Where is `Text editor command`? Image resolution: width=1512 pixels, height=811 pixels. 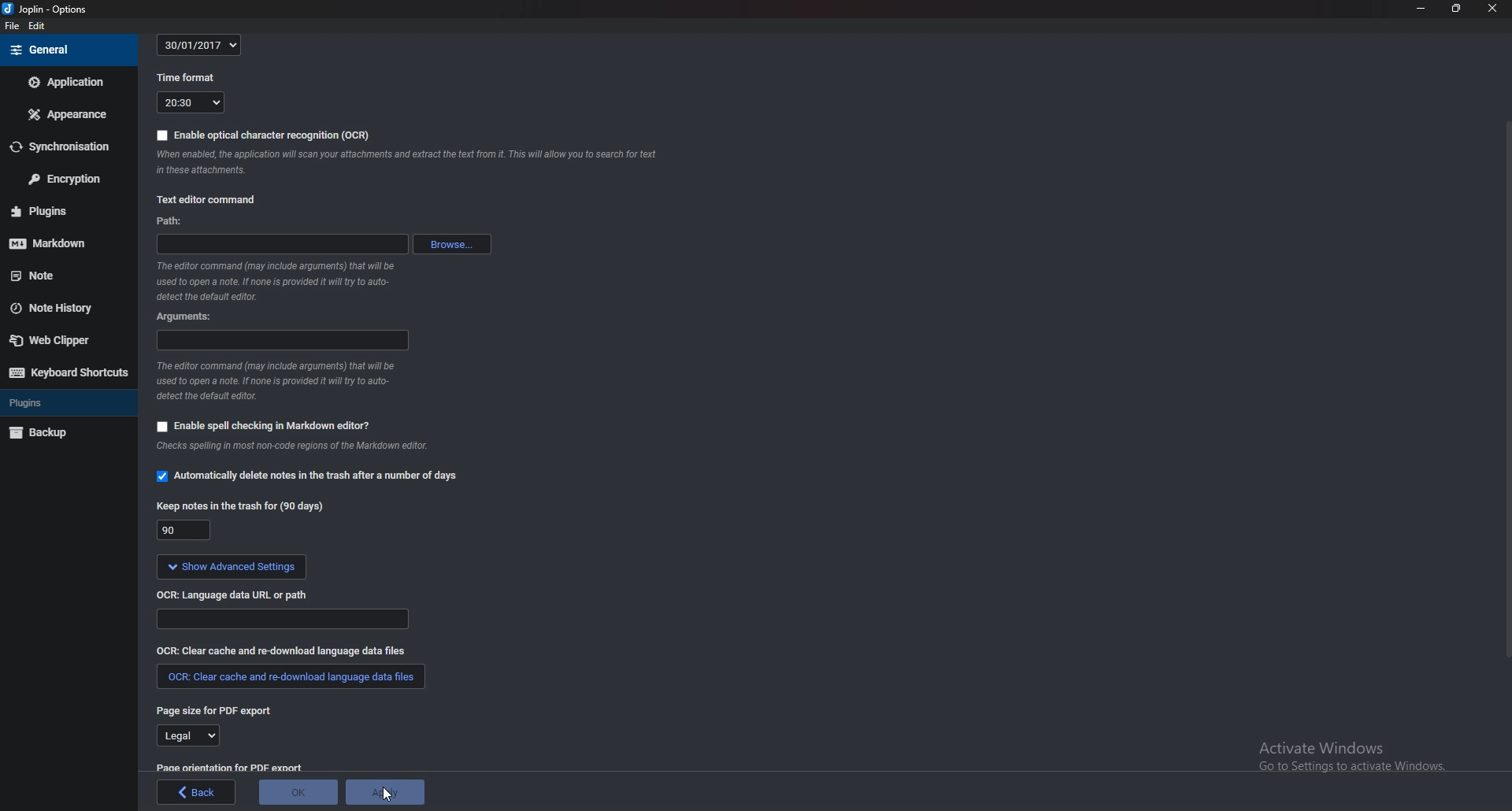
Text editor command is located at coordinates (208, 200).